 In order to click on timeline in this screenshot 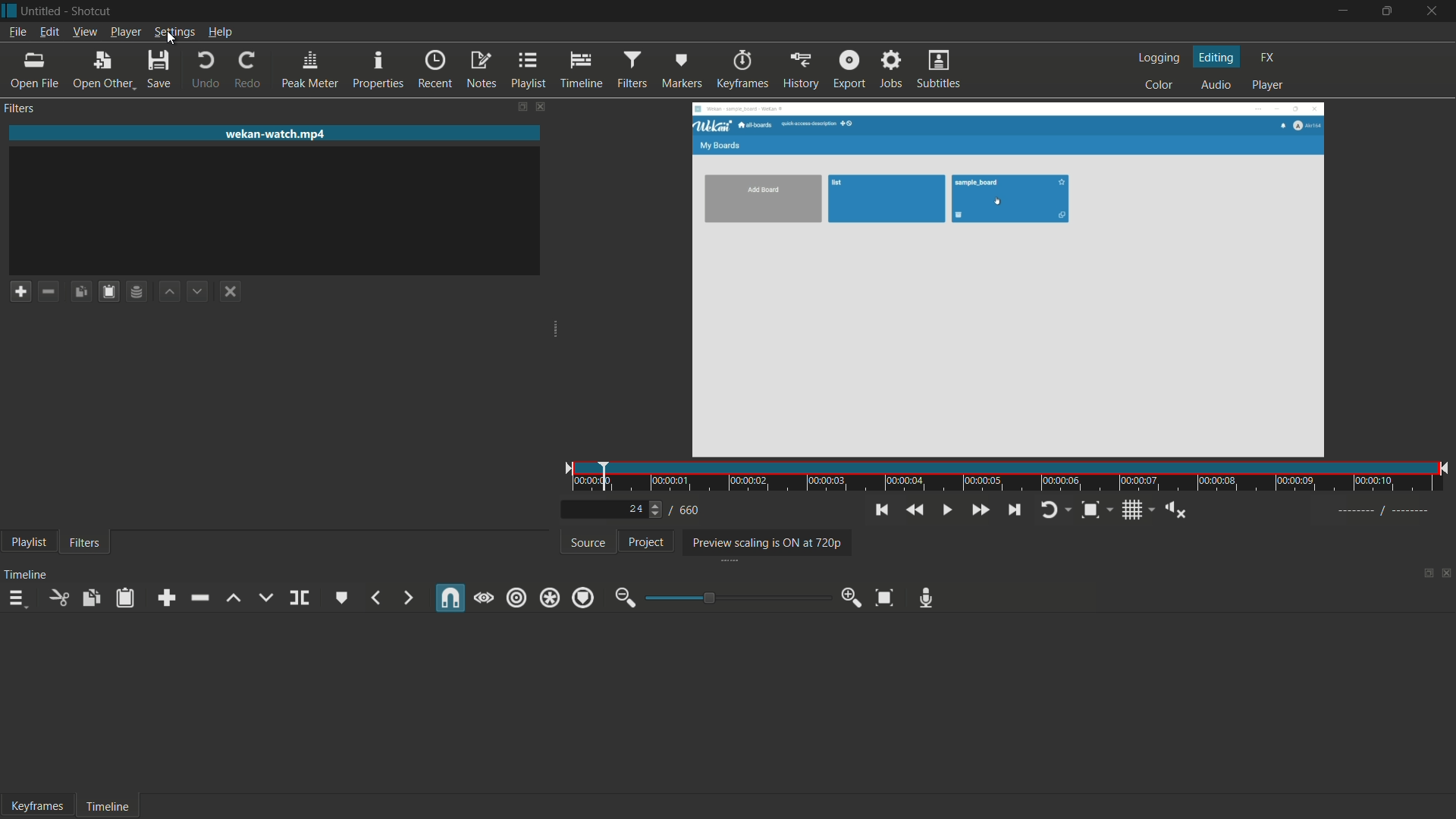, I will do `click(582, 70)`.